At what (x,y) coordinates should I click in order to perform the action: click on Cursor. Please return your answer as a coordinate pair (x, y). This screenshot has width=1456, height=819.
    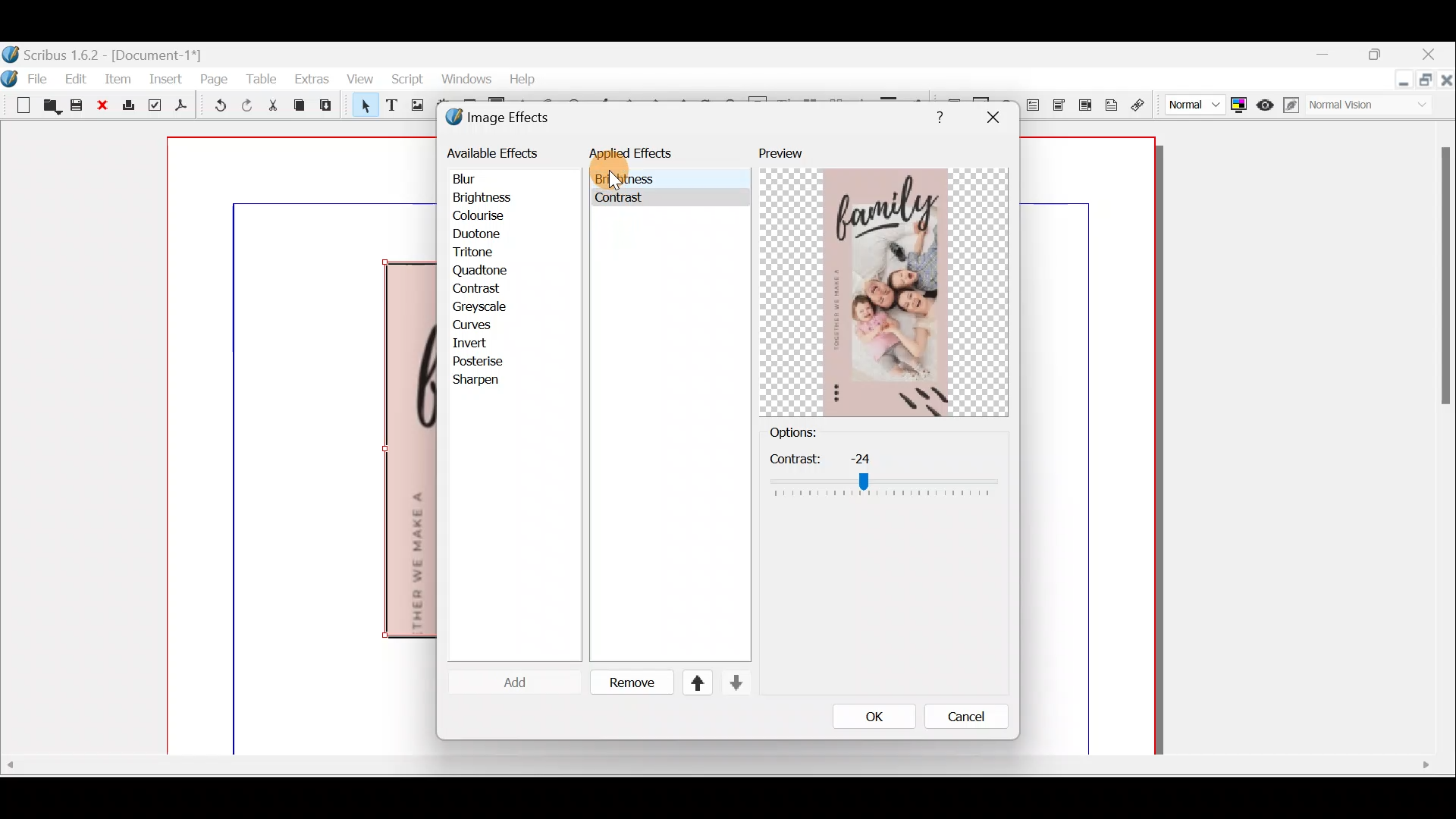
    Looking at the image, I should click on (504, 682).